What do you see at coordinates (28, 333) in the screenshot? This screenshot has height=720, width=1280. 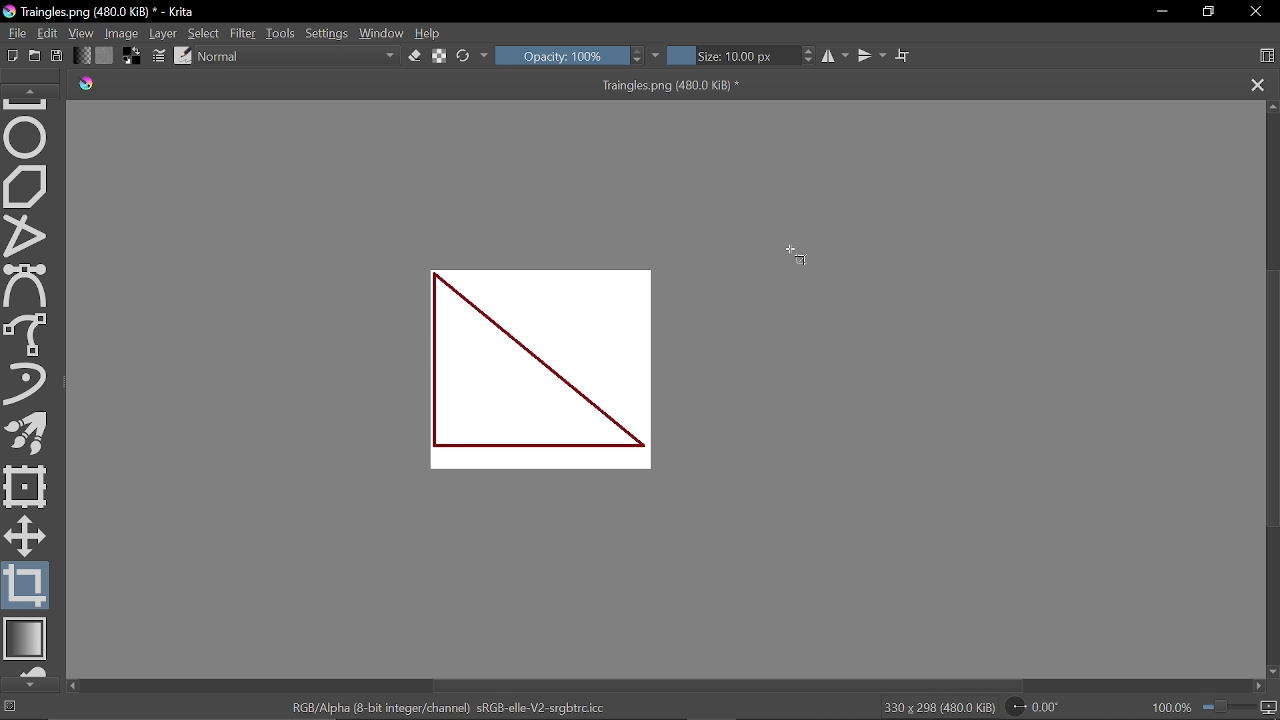 I see `Freehand select tool` at bounding box center [28, 333].